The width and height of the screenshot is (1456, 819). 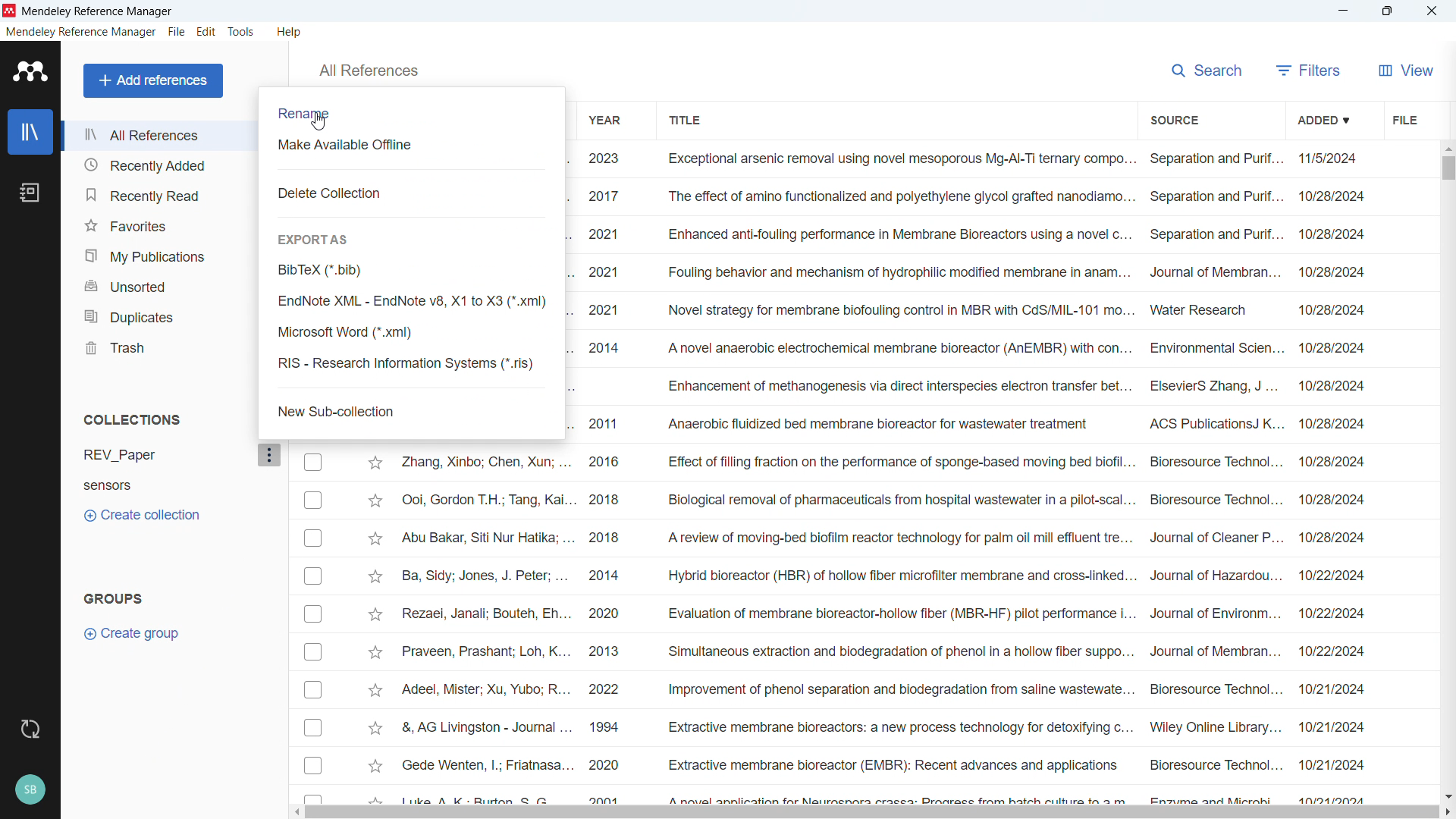 I want to click on Zhang, S; Chang, J; Lin, C;... Enhancement of methanogenesis via direct interspecies electron transfer bet... ElsevierS Zhang, J ... 10/28/2024, so click(x=970, y=387).